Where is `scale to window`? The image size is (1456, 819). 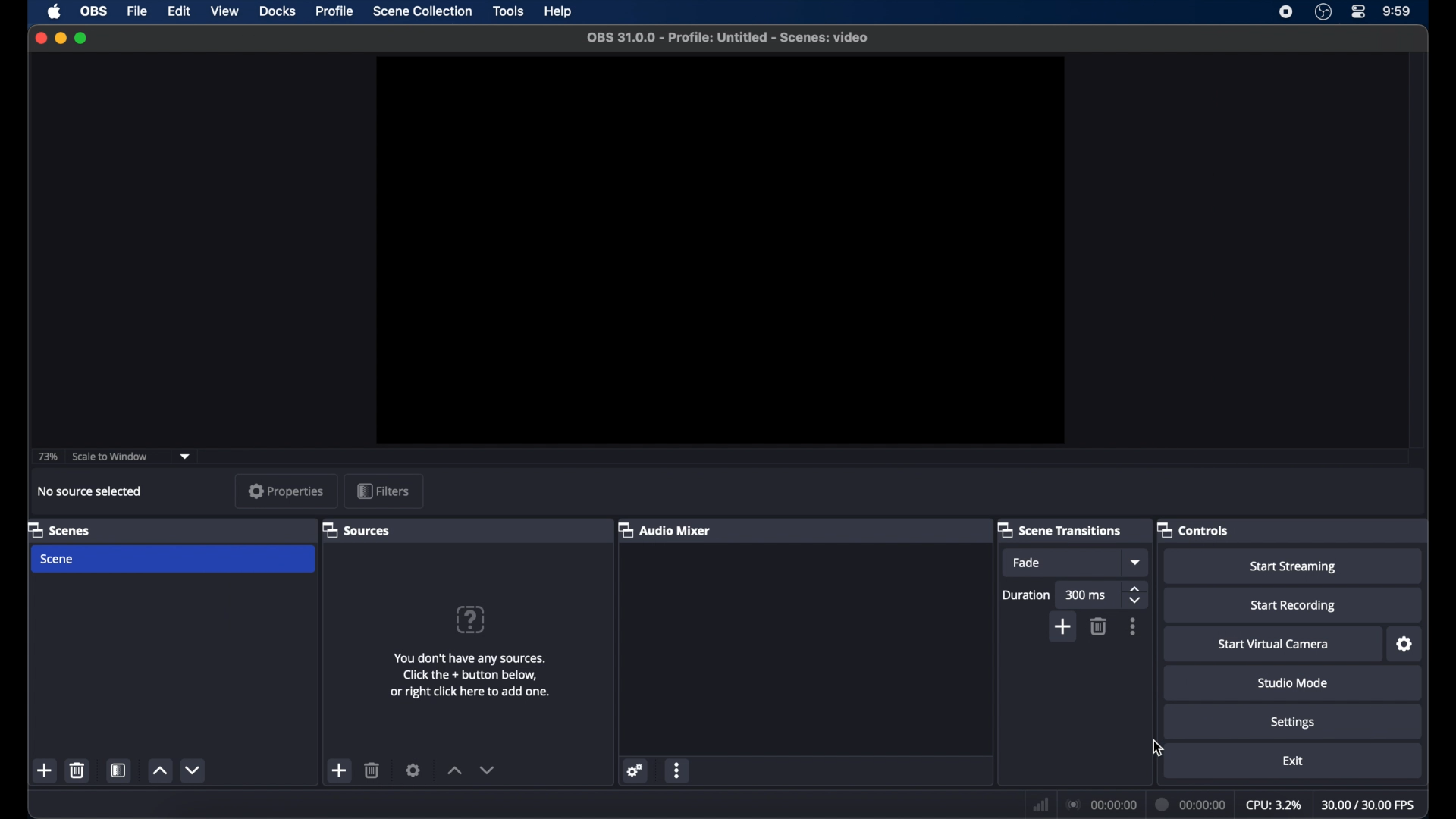 scale to window is located at coordinates (111, 455).